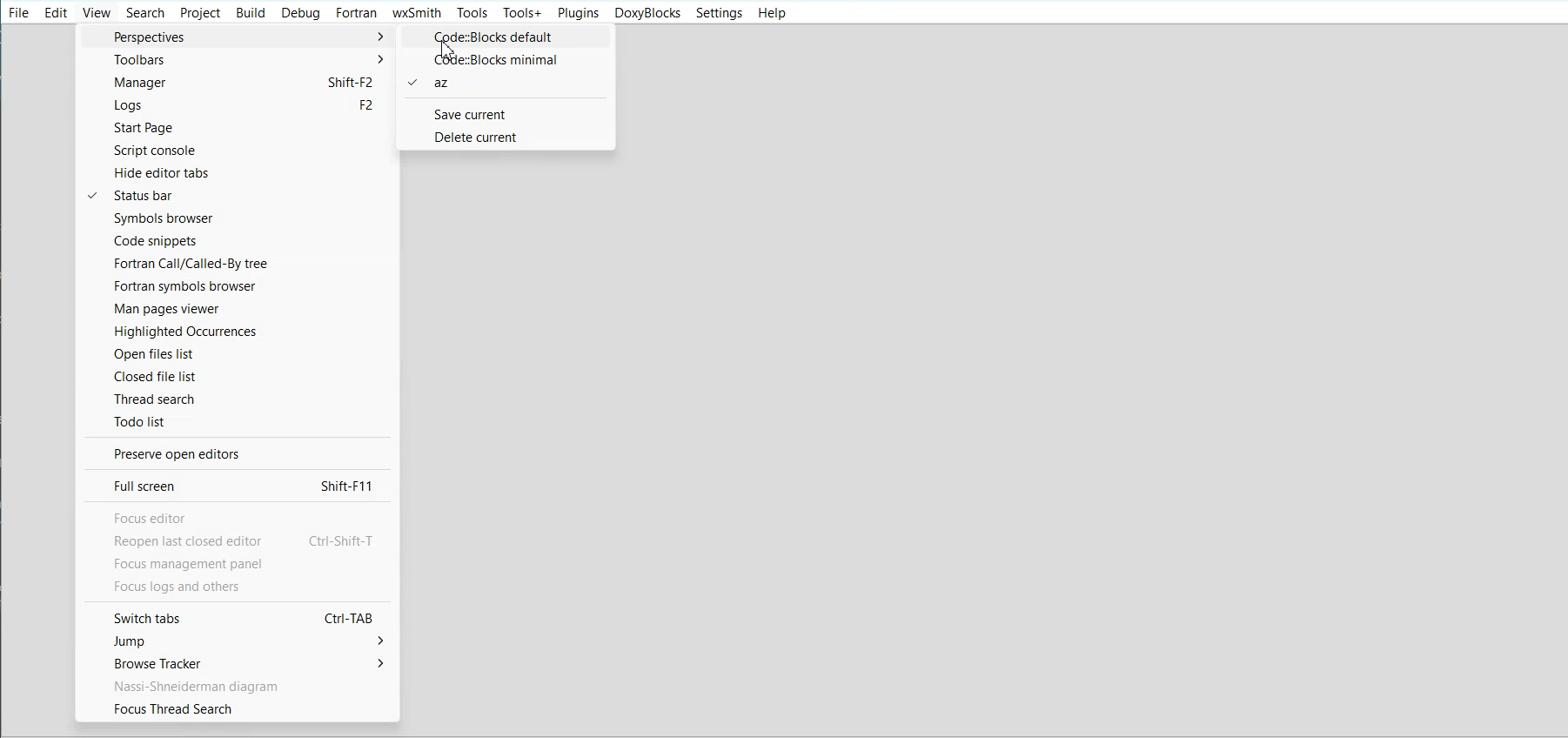 This screenshot has height=738, width=1568. Describe the element at coordinates (239, 240) in the screenshot. I see `Code snippets` at that location.